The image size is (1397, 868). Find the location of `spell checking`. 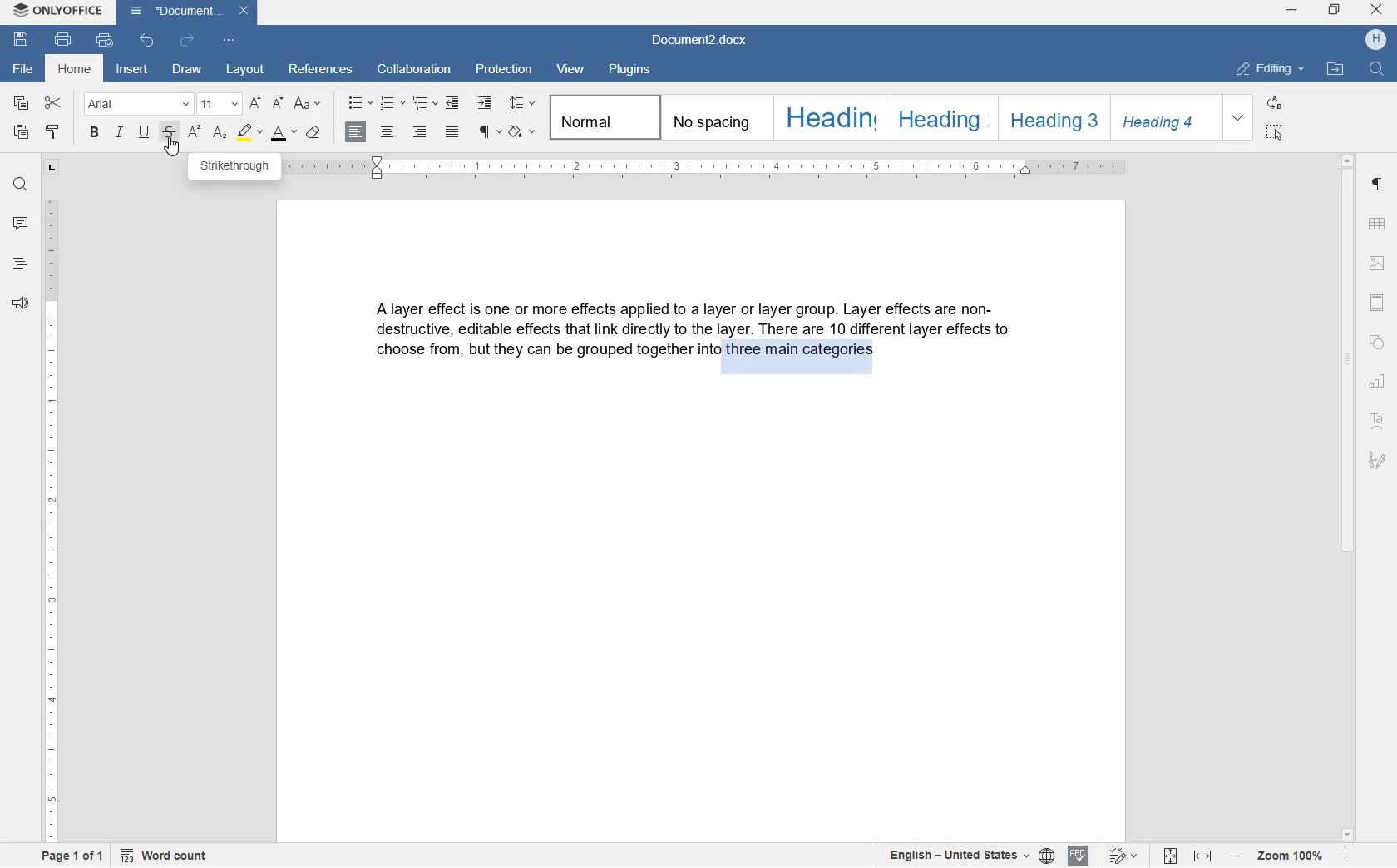

spell checking is located at coordinates (1079, 855).